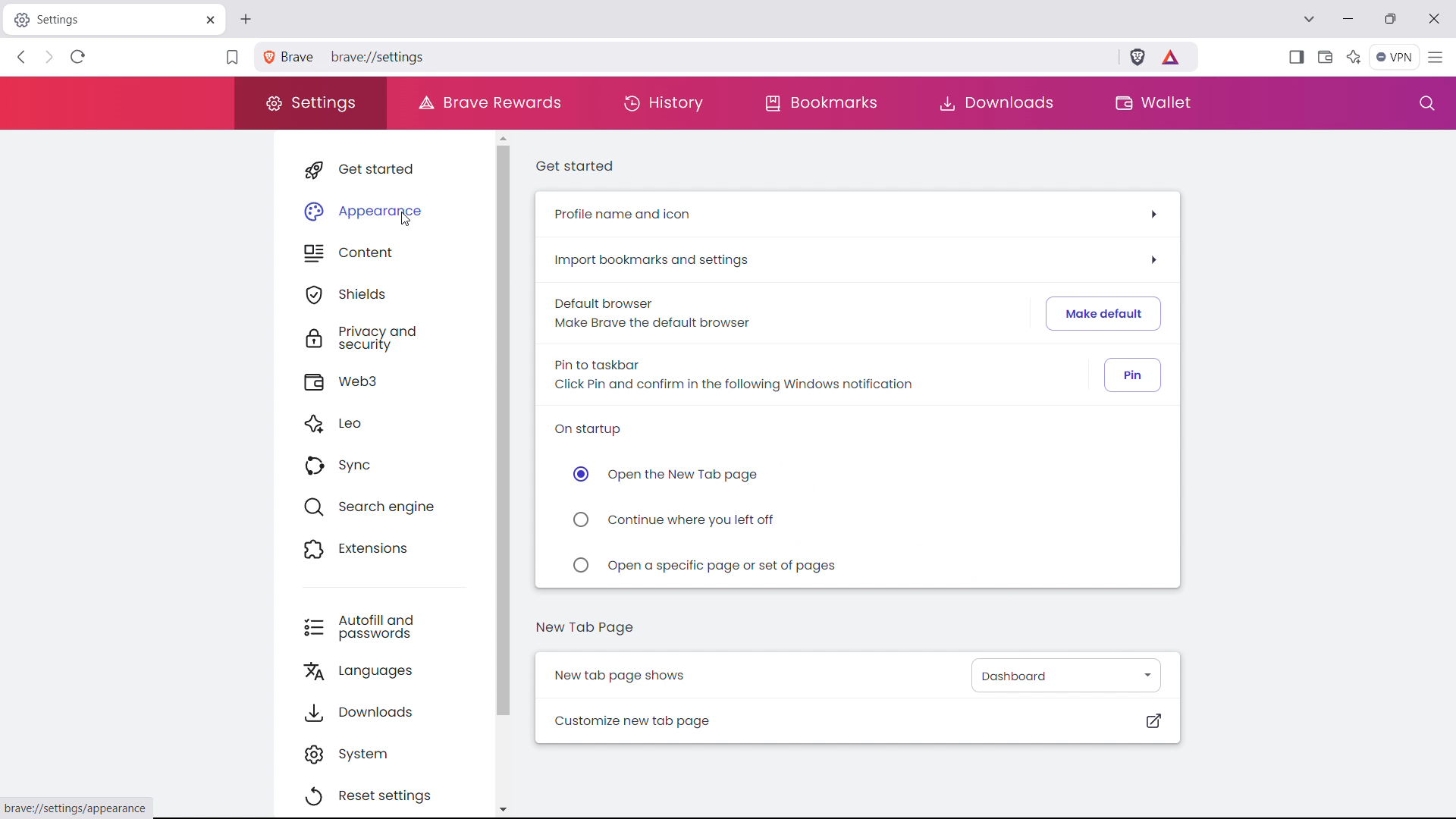 The height and width of the screenshot is (819, 1456). What do you see at coordinates (1422, 103) in the screenshot?
I see `search` at bounding box center [1422, 103].